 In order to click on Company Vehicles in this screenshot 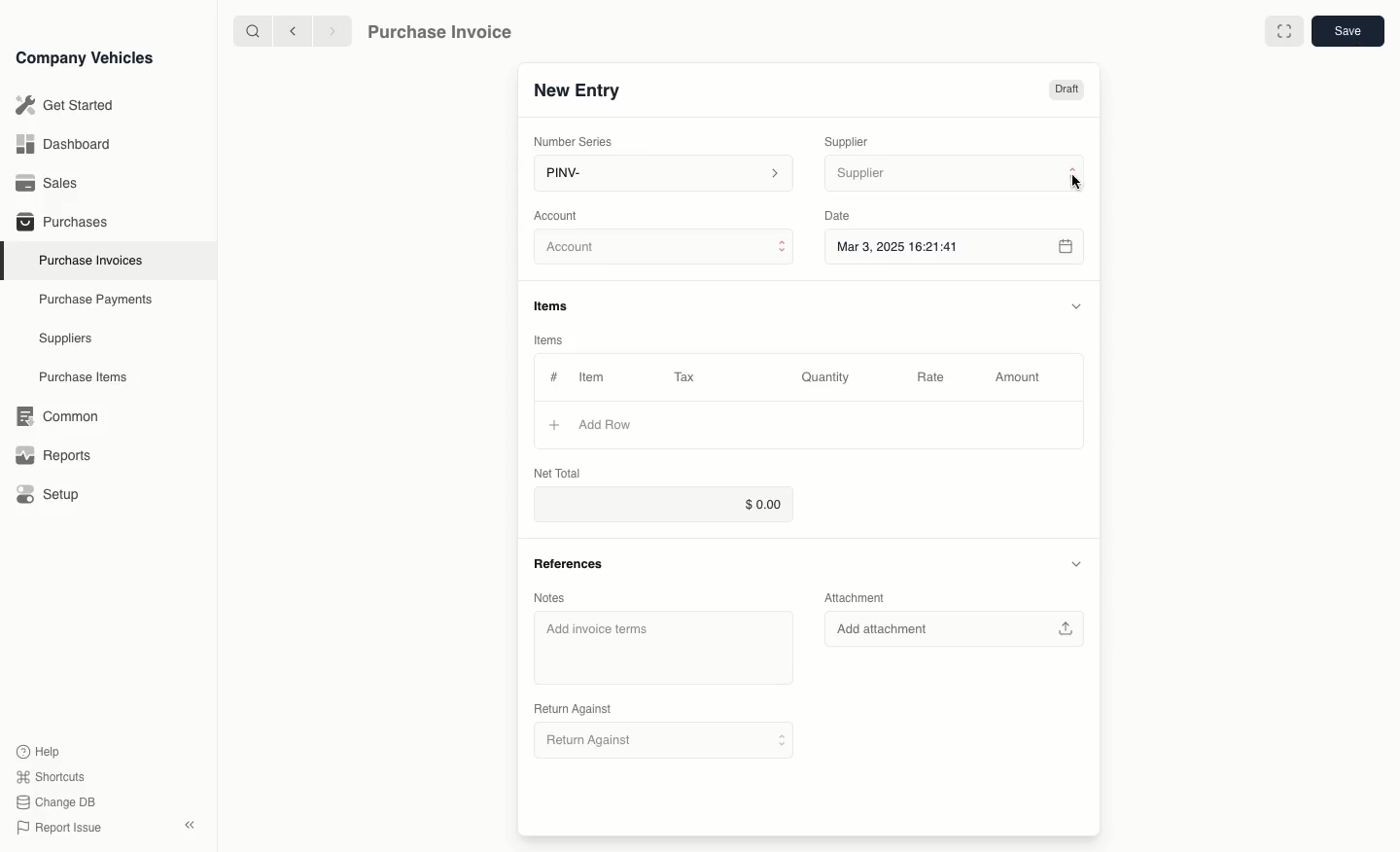, I will do `click(85, 57)`.